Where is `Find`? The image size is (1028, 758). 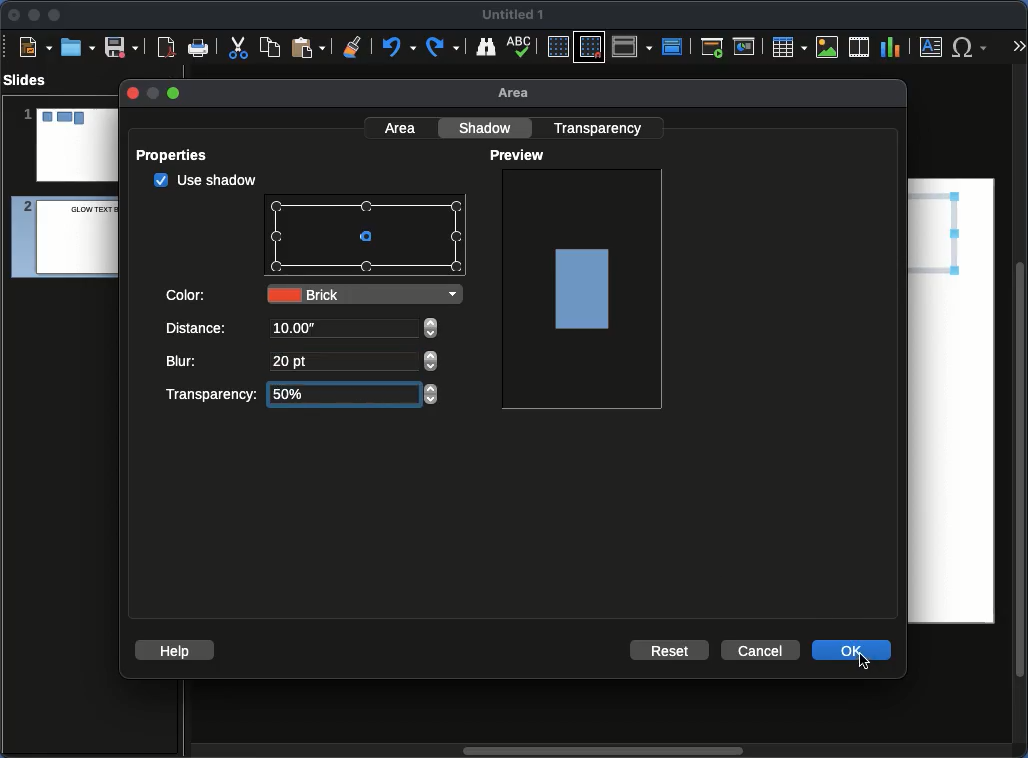
Find is located at coordinates (485, 46).